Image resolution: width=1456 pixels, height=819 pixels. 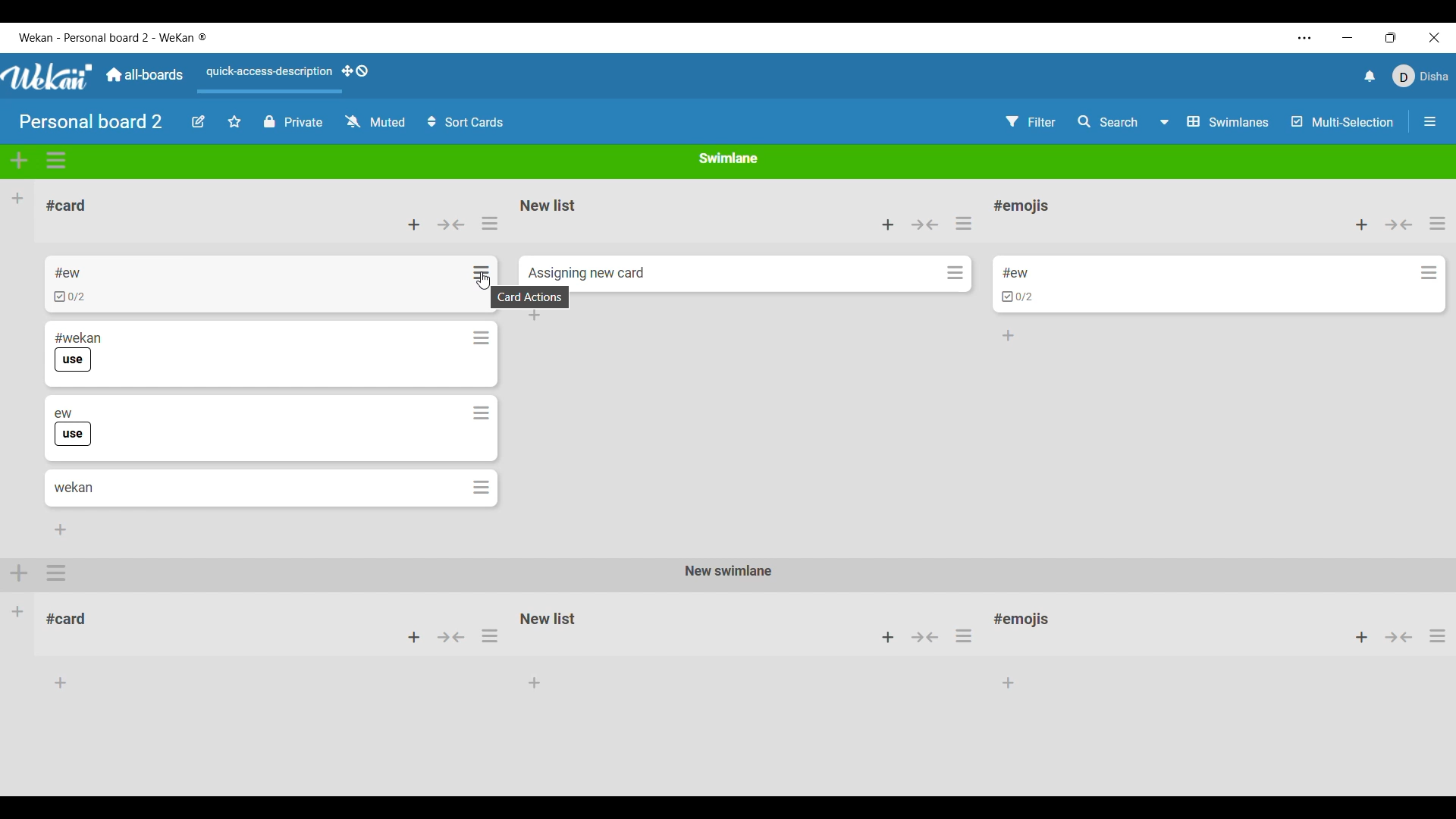 What do you see at coordinates (1031, 122) in the screenshot?
I see `Filter` at bounding box center [1031, 122].